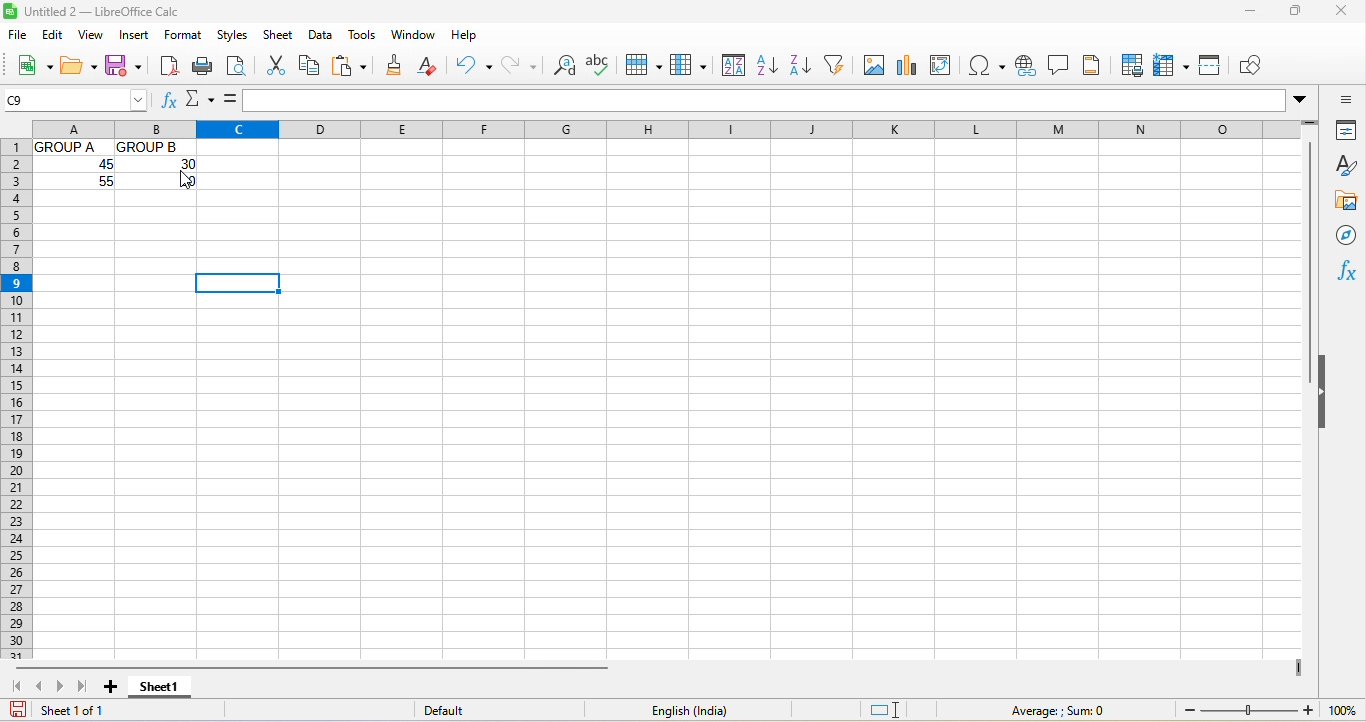 The height and width of the screenshot is (722, 1366). Describe the element at coordinates (520, 68) in the screenshot. I see `redo` at that location.